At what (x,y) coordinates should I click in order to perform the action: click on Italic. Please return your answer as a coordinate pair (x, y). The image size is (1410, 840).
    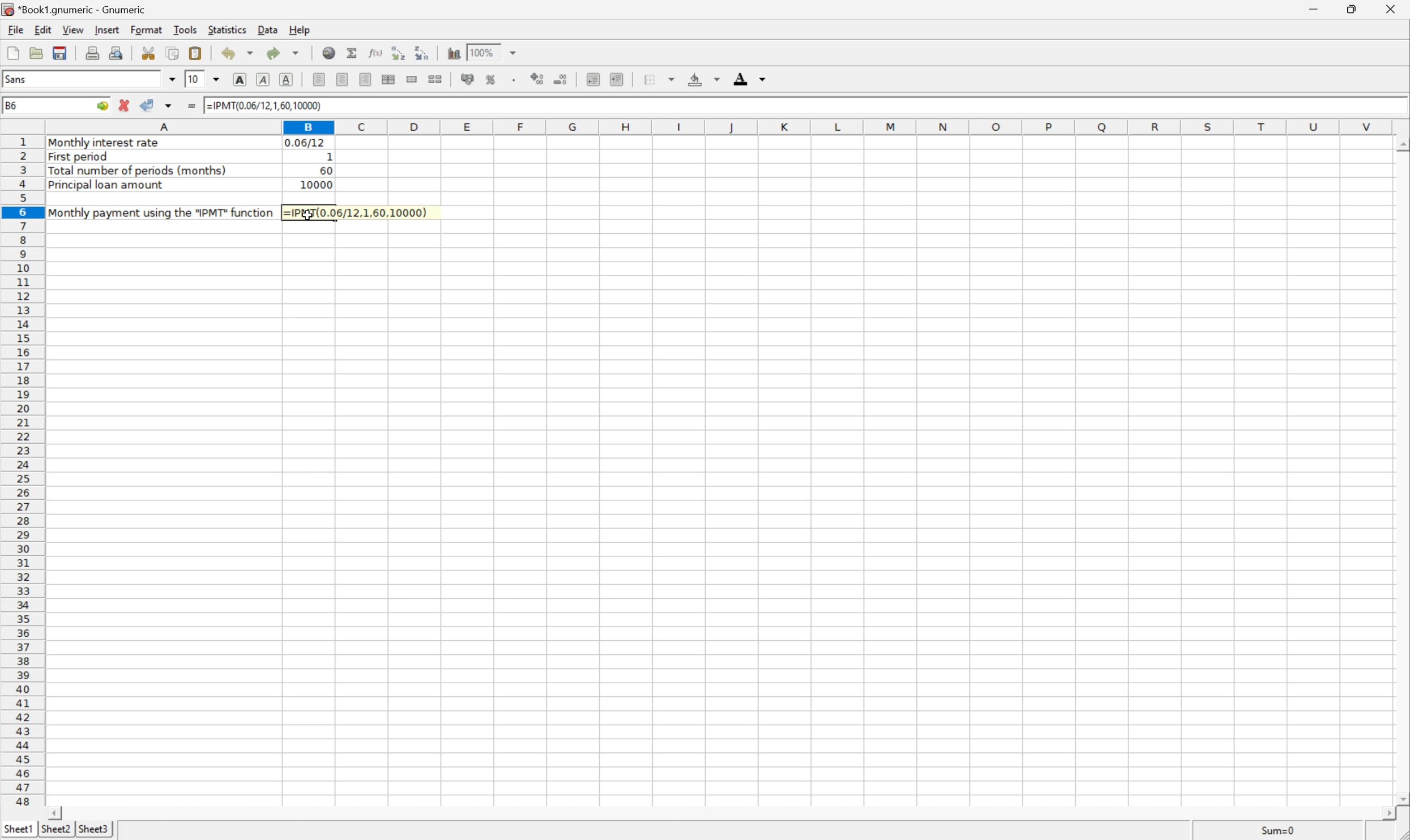
    Looking at the image, I should click on (266, 79).